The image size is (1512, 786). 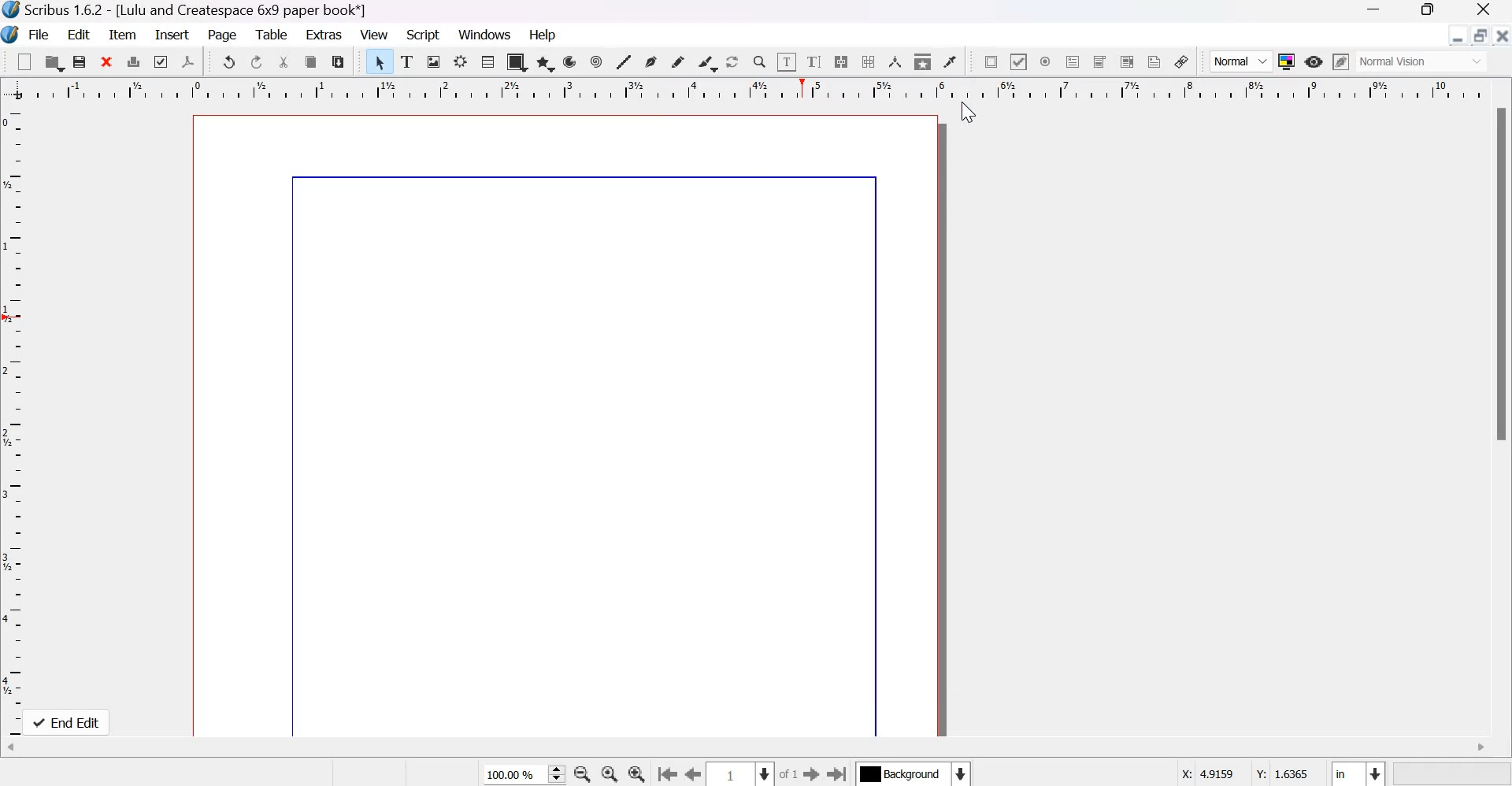 I want to click on arc, so click(x=572, y=61).